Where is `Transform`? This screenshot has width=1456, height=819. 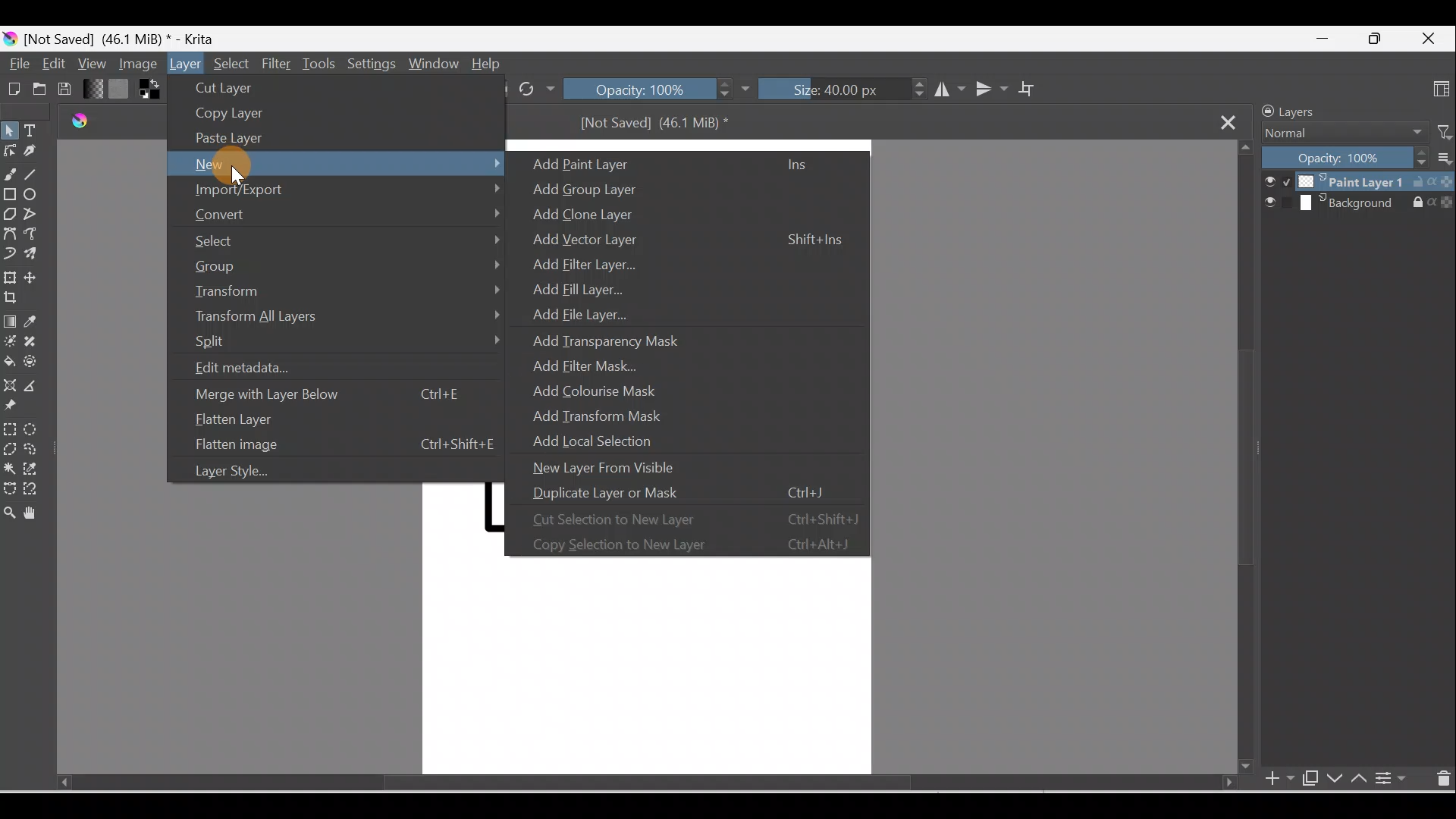 Transform is located at coordinates (344, 290).